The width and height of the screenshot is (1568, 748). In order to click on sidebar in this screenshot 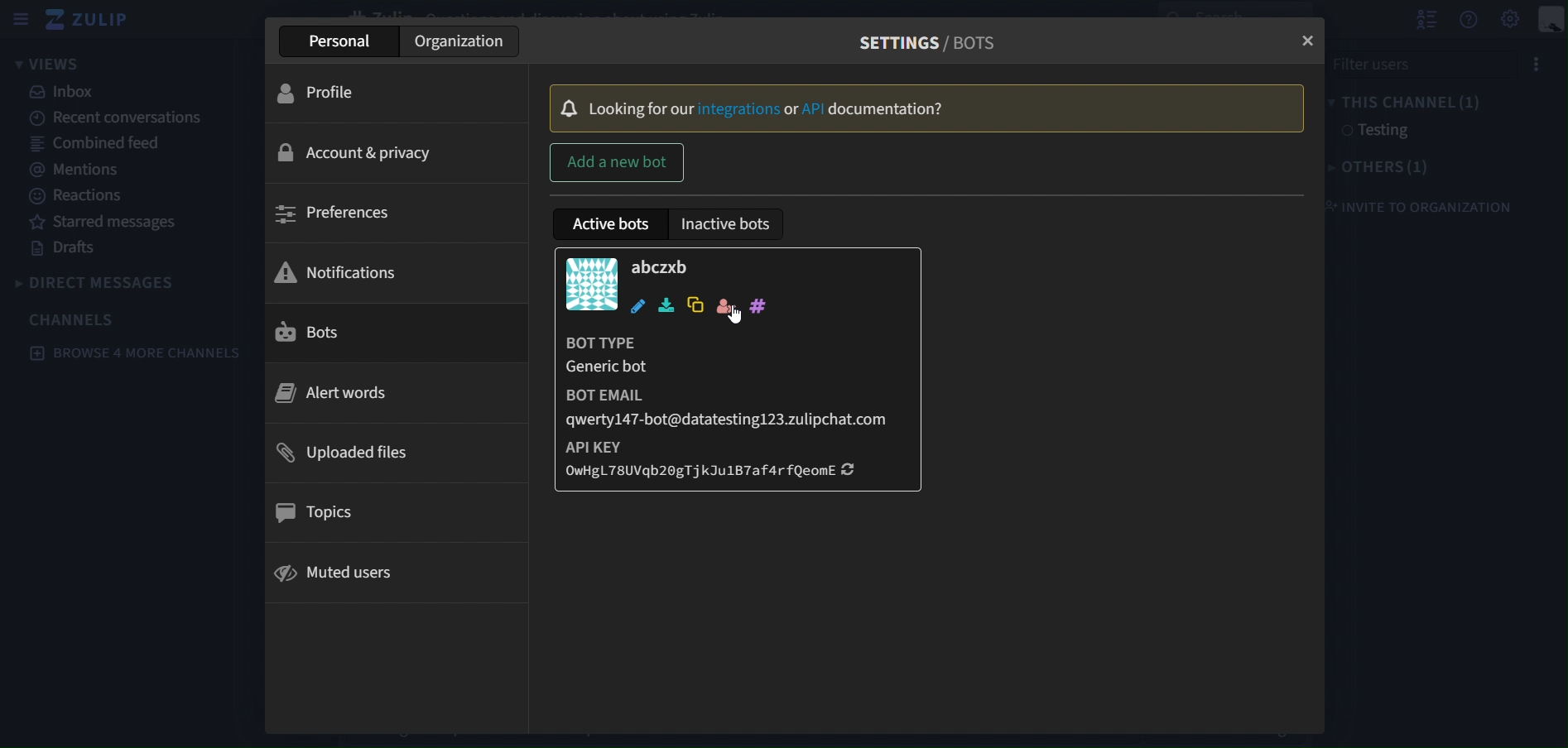, I will do `click(20, 19)`.